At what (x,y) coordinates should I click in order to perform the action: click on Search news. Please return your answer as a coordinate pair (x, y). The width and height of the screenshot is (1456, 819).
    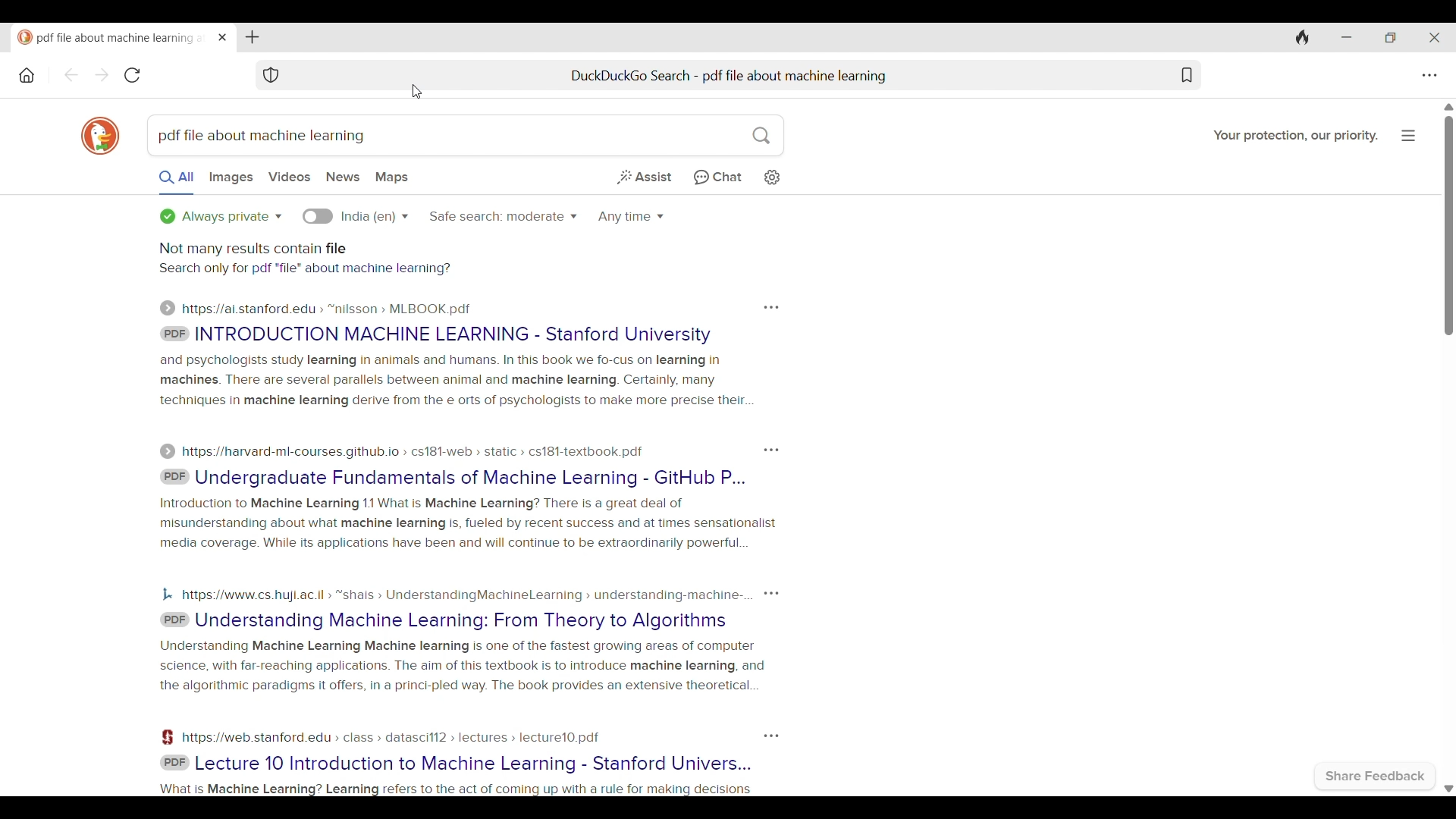
    Looking at the image, I should click on (343, 177).